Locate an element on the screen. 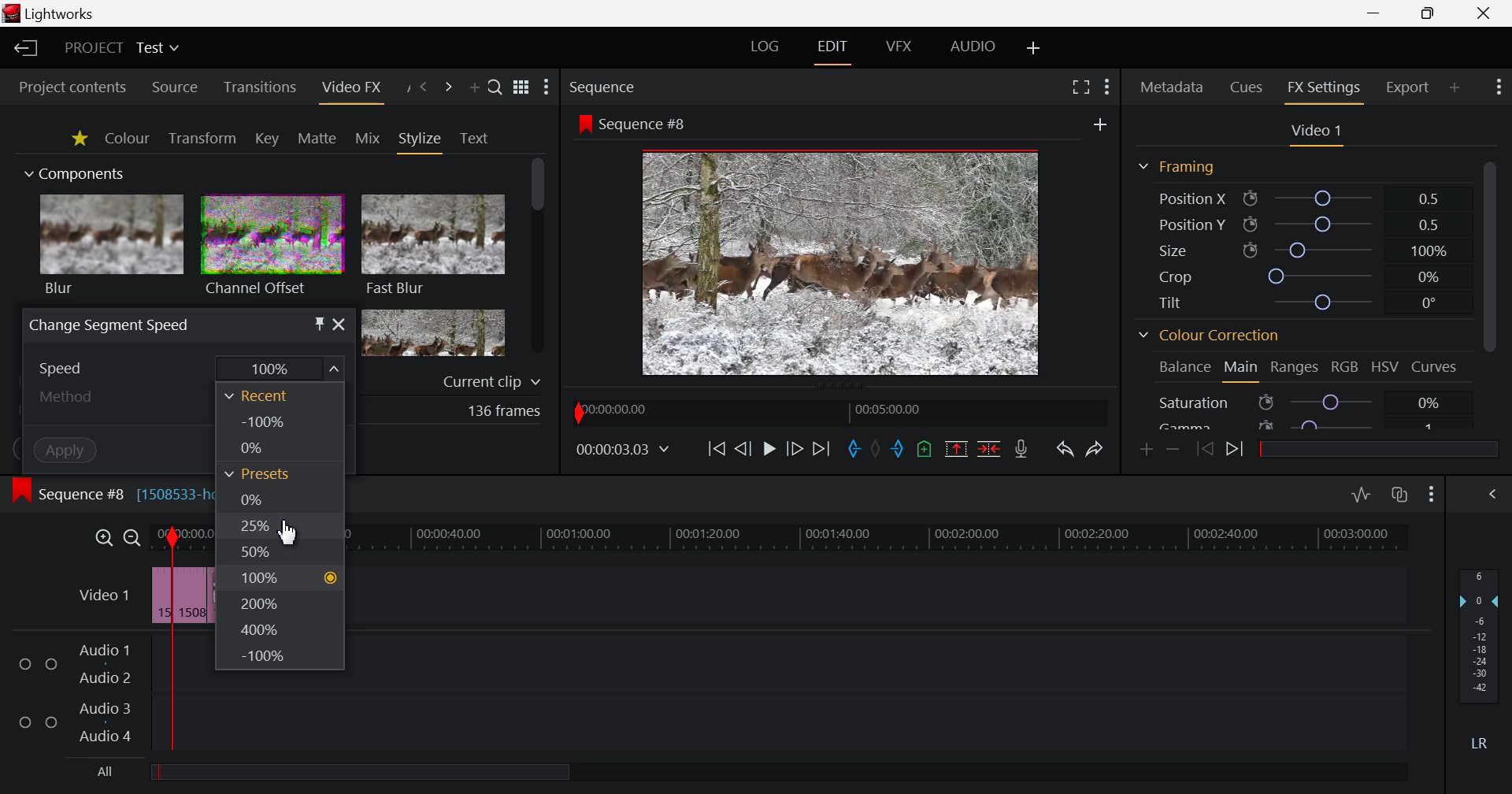  Audio Input Fields is located at coordinates (703, 695).